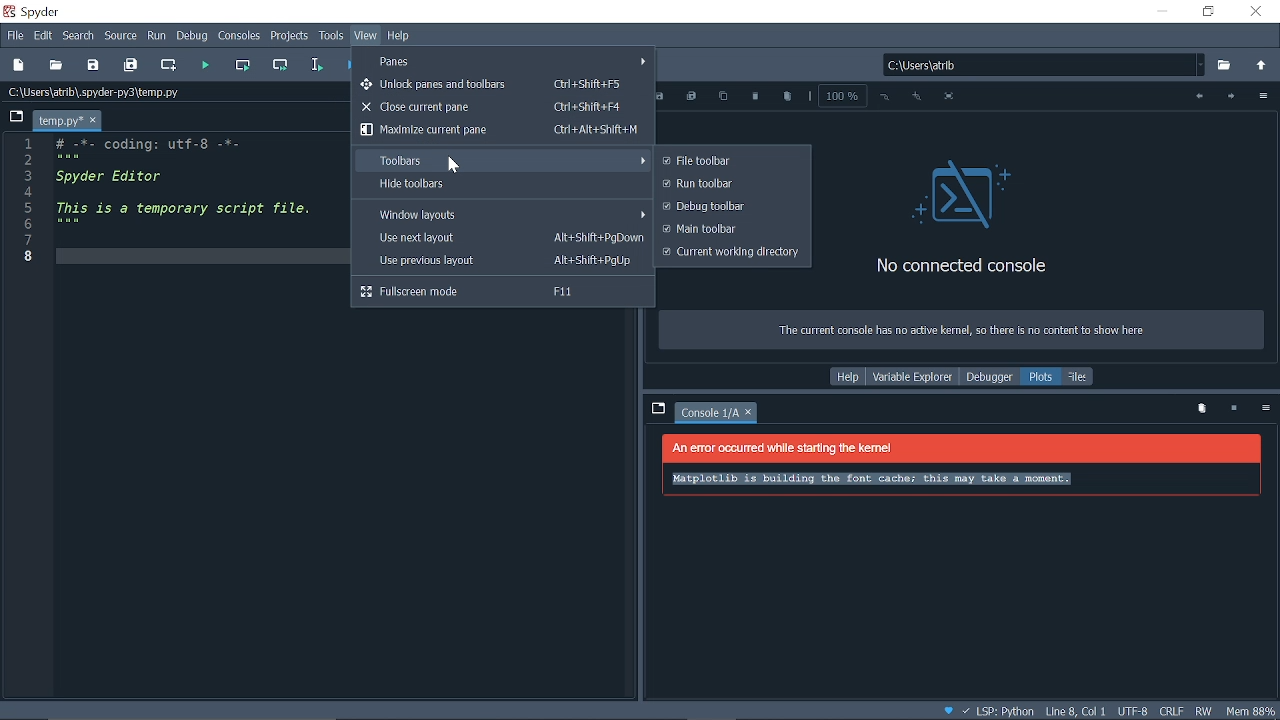 This screenshot has width=1280, height=720. What do you see at coordinates (36, 11) in the screenshot?
I see `Current window` at bounding box center [36, 11].